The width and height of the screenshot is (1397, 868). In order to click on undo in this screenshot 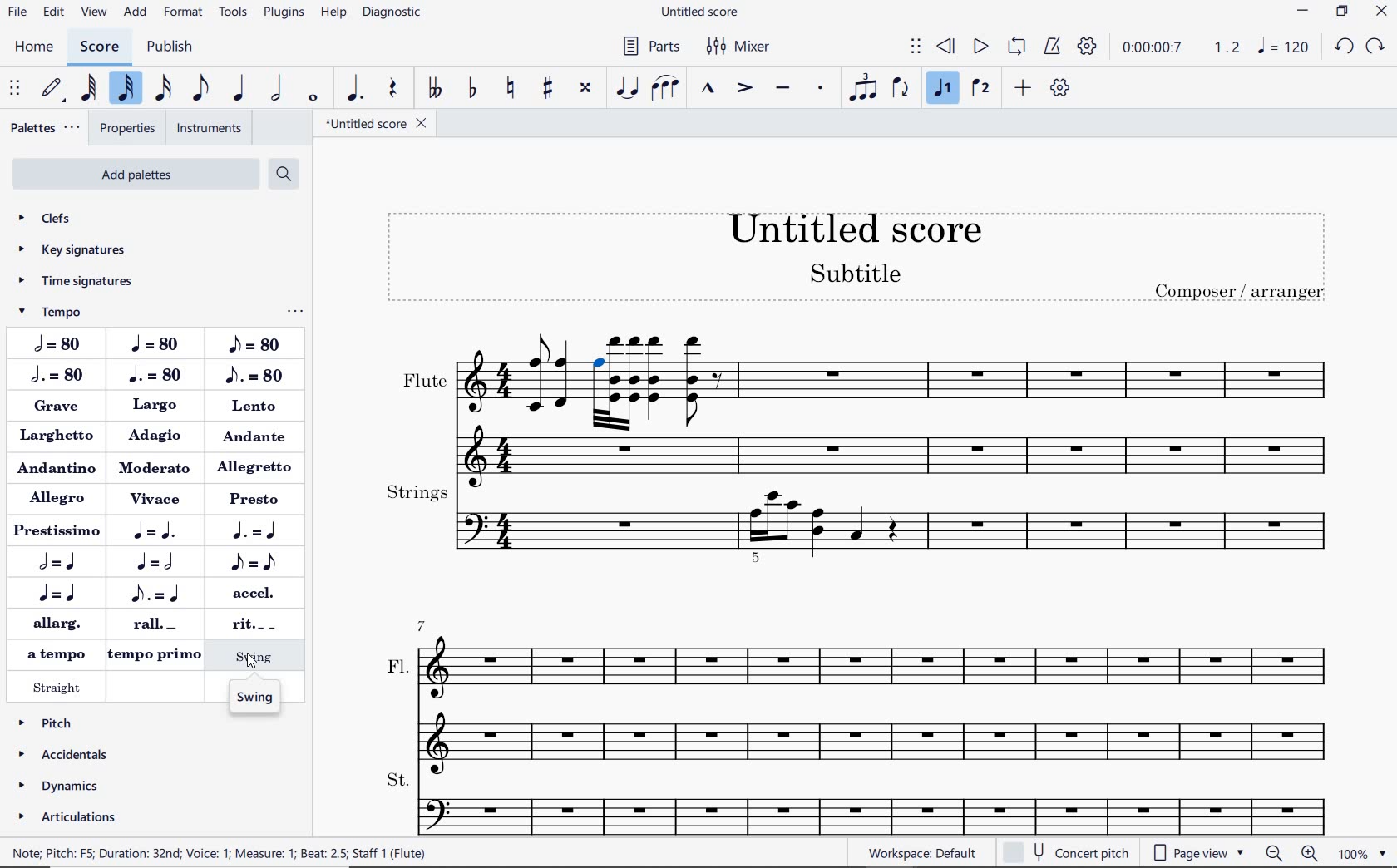, I will do `click(1345, 45)`.